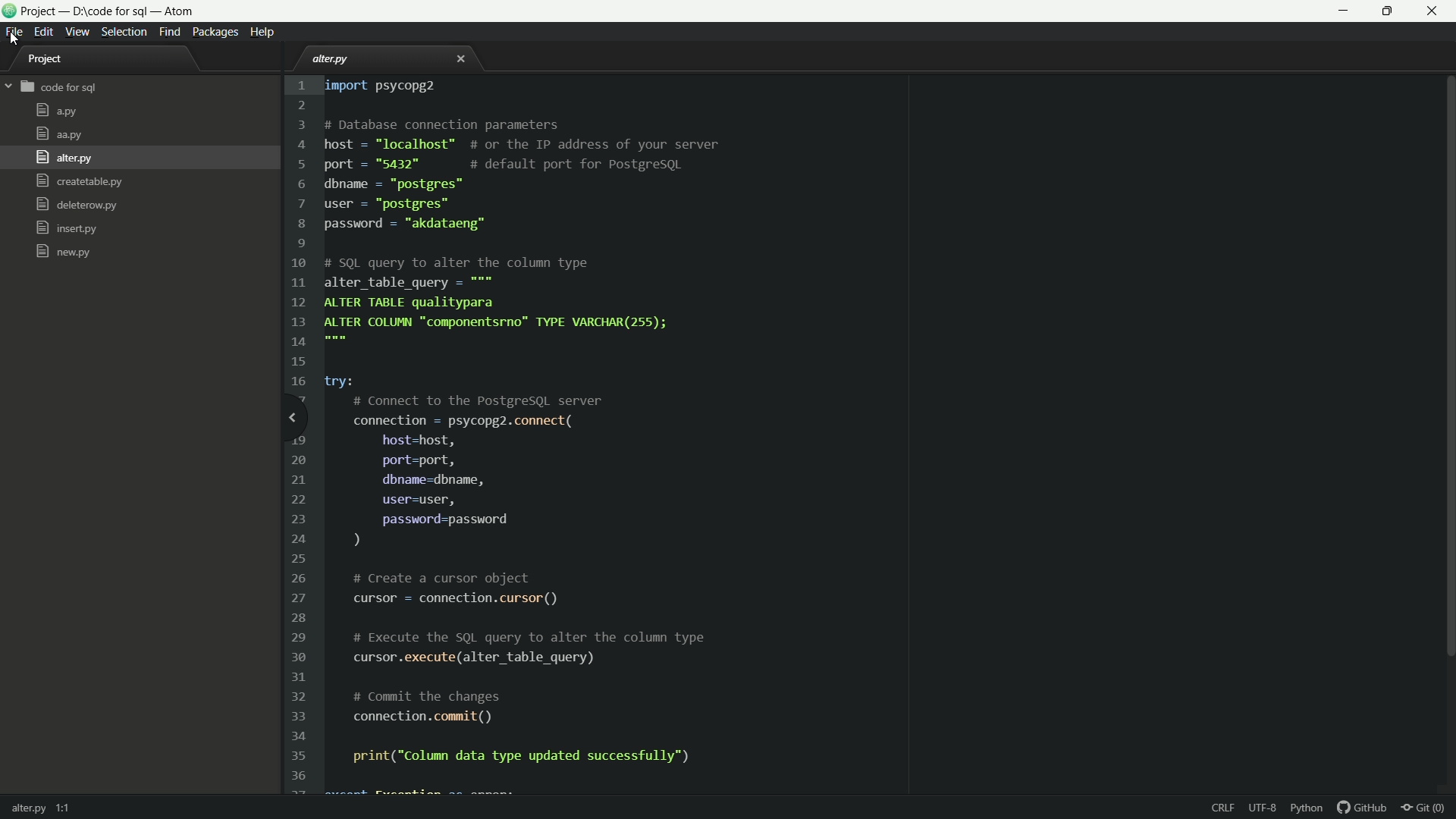 The height and width of the screenshot is (819, 1456). I want to click on import psycopg2 # Database connection parametershost = "localhost™ # or the IP address of your serverport = "5432" # default port for PostgresqQLdbname = “postgres”user = "postgres"password = “akdataeng”# SQL query to alter the column typealter table query = ""*ALTER TABLE qualityparaALTER COLUMN "componentsrno” TYPE VARCHAR(255);try:# Connect to the PostgresQL serverconnection = psycopg2.connect(host=host,port=port,dbname=dbname,user=user,password=password)# Create a cursor objectcursor = connection.cursor()# Execute the SQL query to alter the column typecursor.execute(alter_table query)# commit the changesconnection. commit()print("Column data type updated successfully”), so click(533, 425).